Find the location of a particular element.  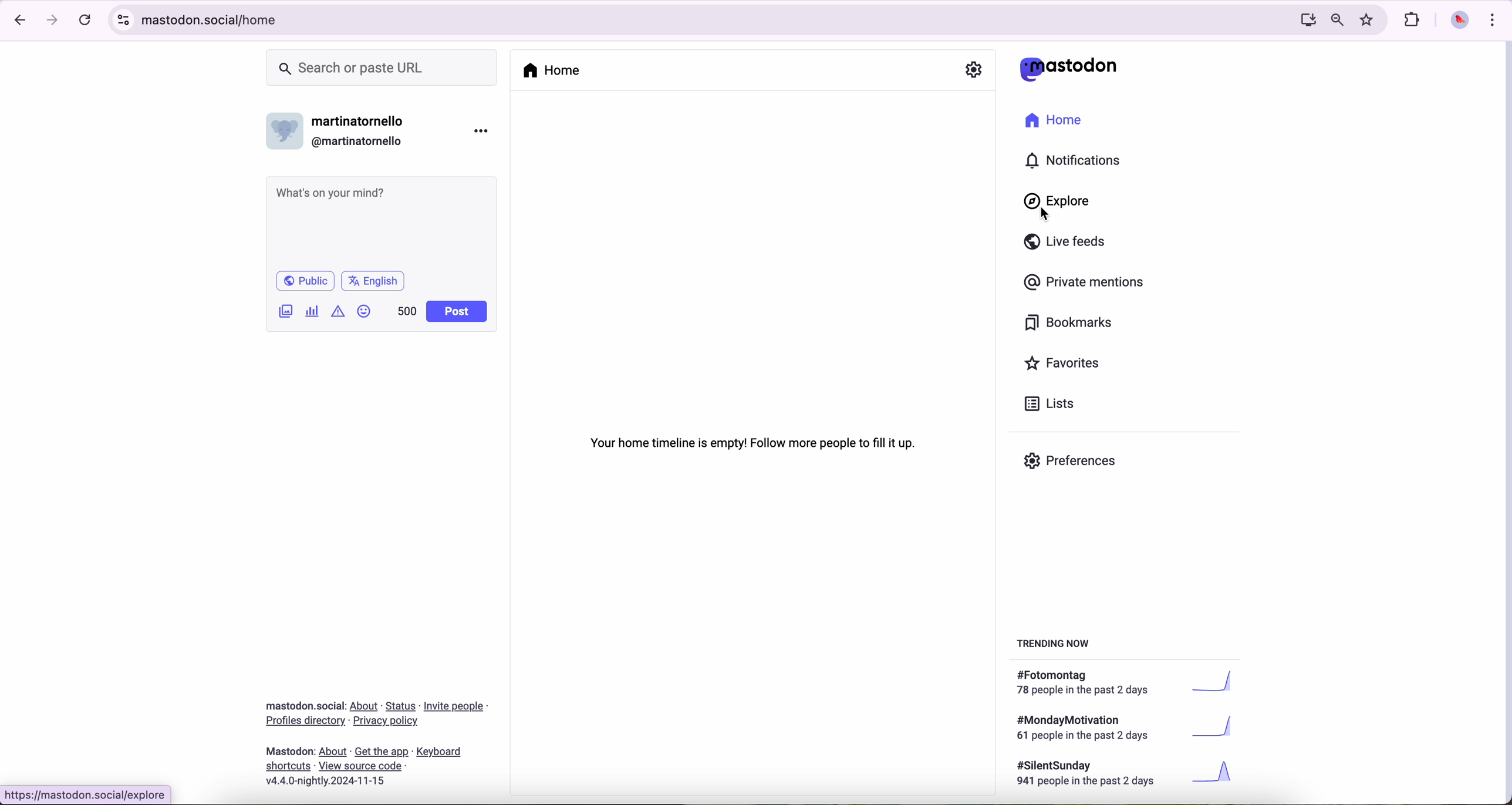

private mentions is located at coordinates (1085, 283).